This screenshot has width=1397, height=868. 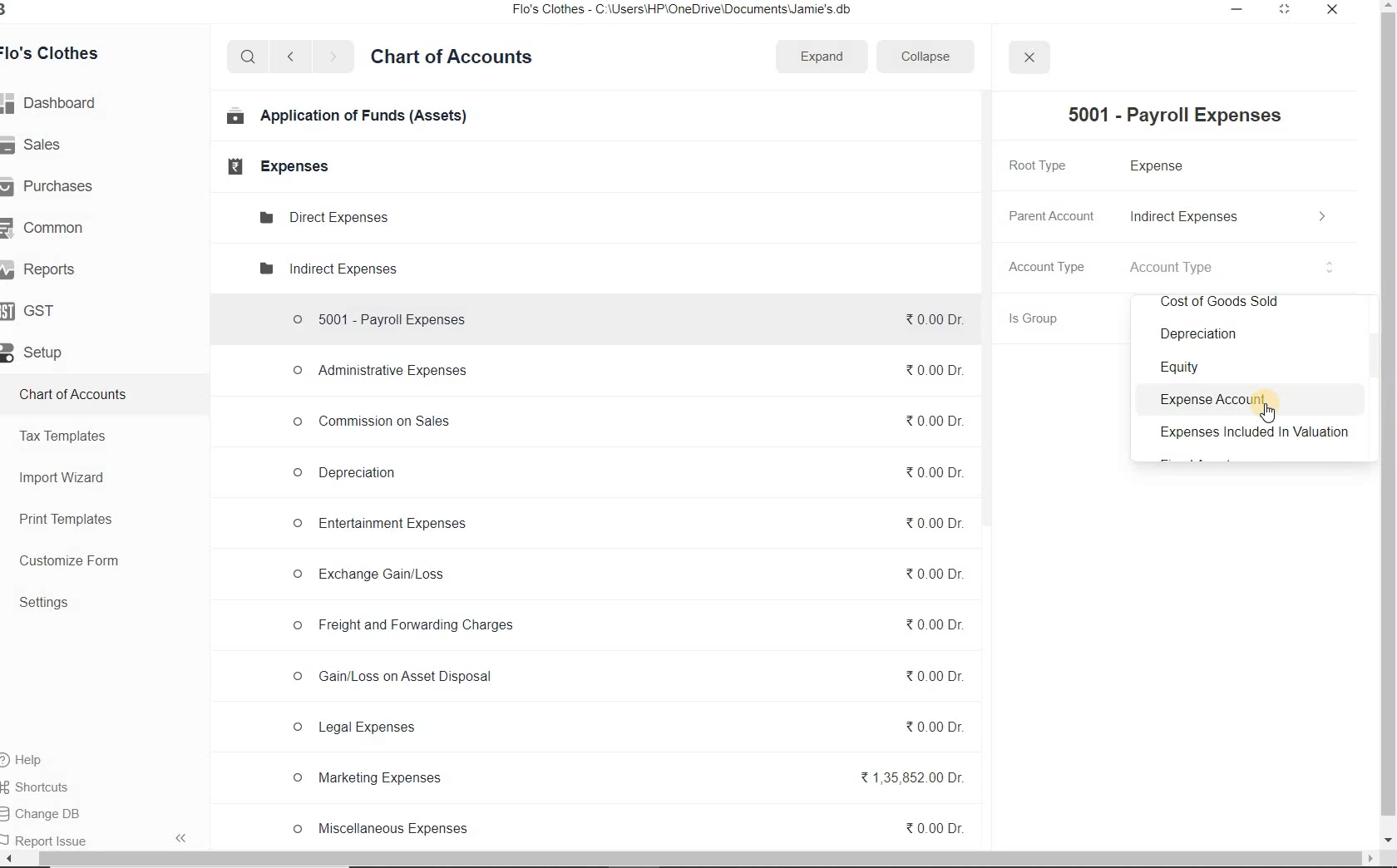 What do you see at coordinates (38, 758) in the screenshot?
I see ` Help` at bounding box center [38, 758].